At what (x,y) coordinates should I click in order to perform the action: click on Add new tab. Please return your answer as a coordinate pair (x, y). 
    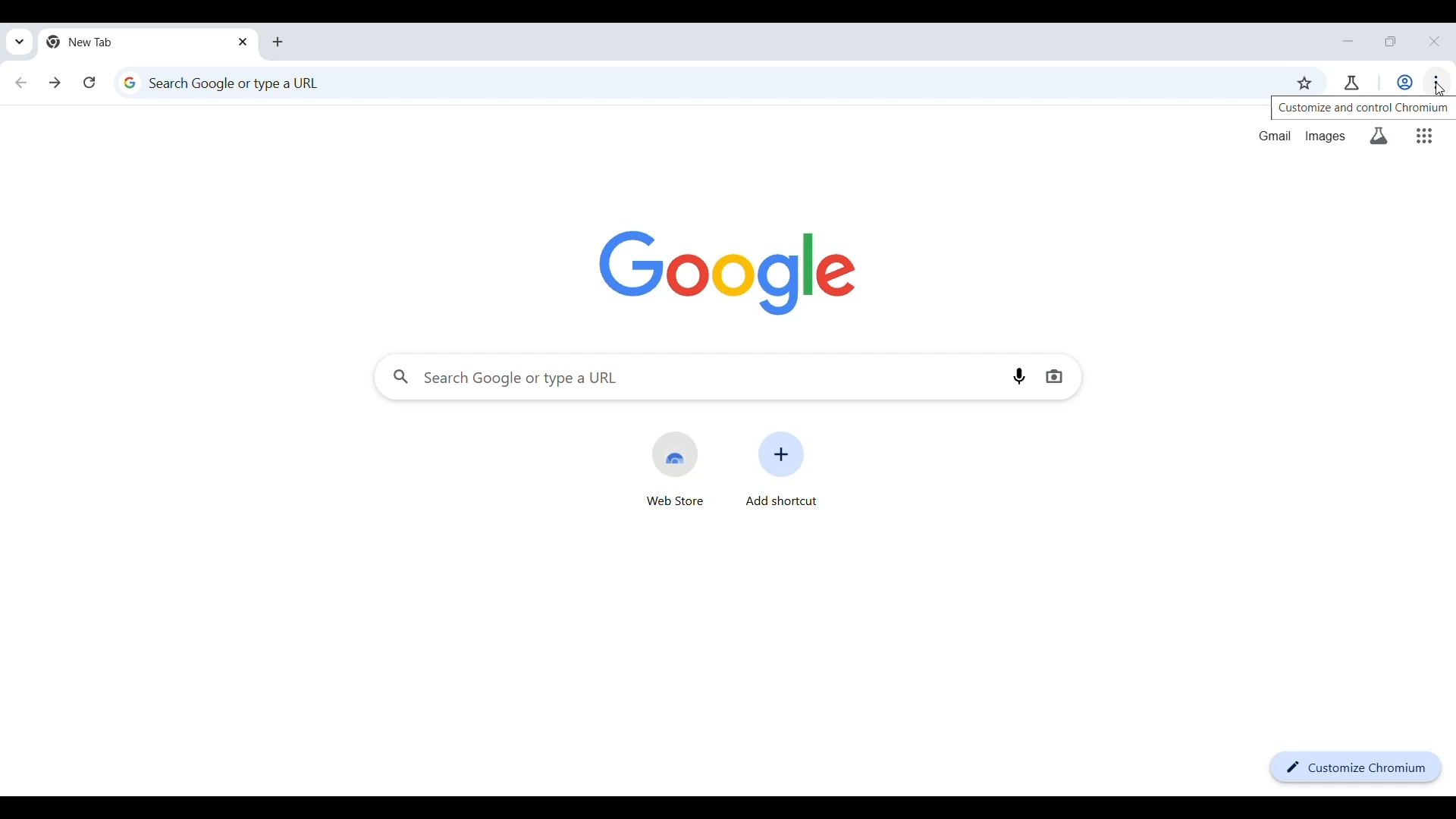
    Looking at the image, I should click on (278, 42).